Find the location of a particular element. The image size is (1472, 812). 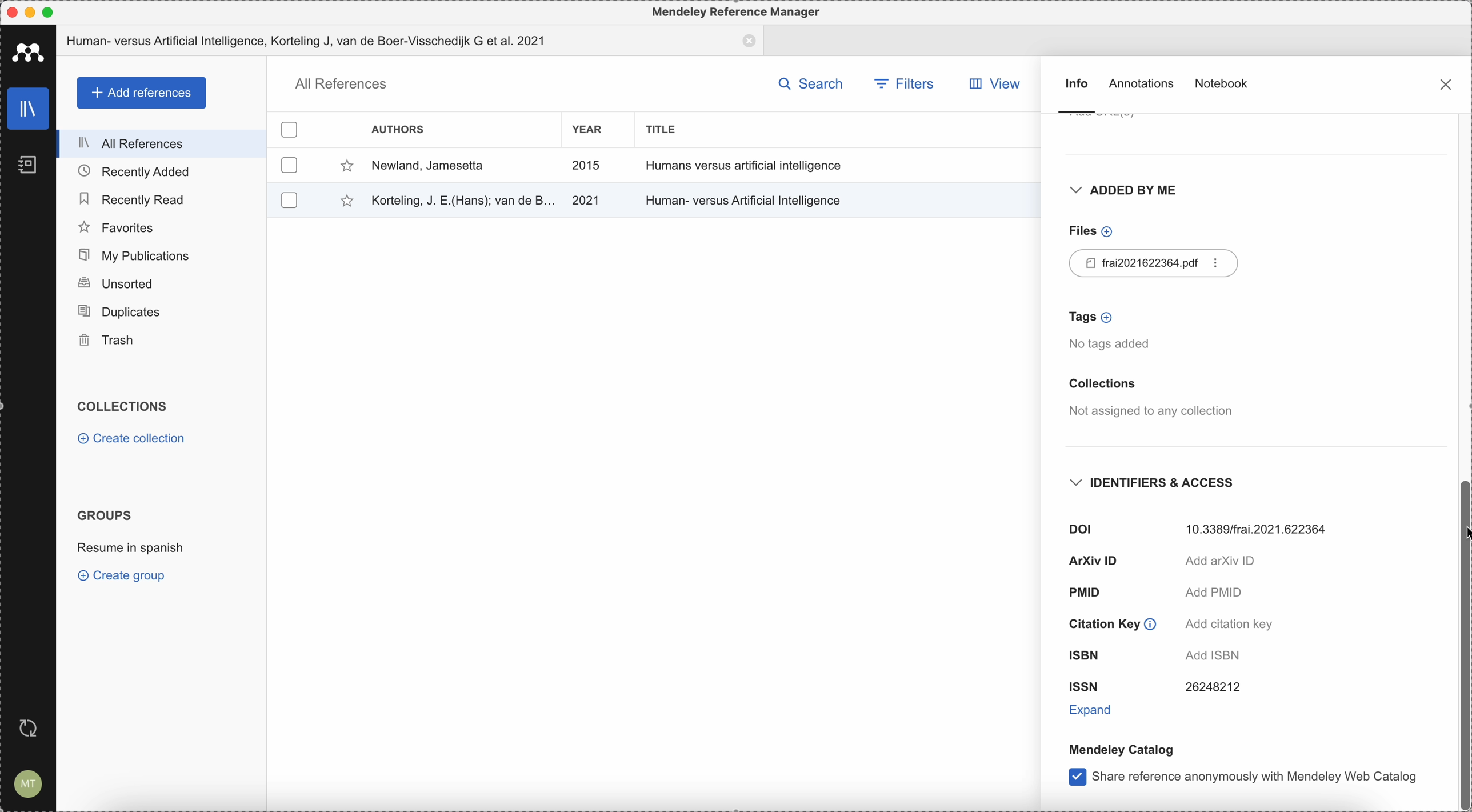

expand is located at coordinates (1094, 709).